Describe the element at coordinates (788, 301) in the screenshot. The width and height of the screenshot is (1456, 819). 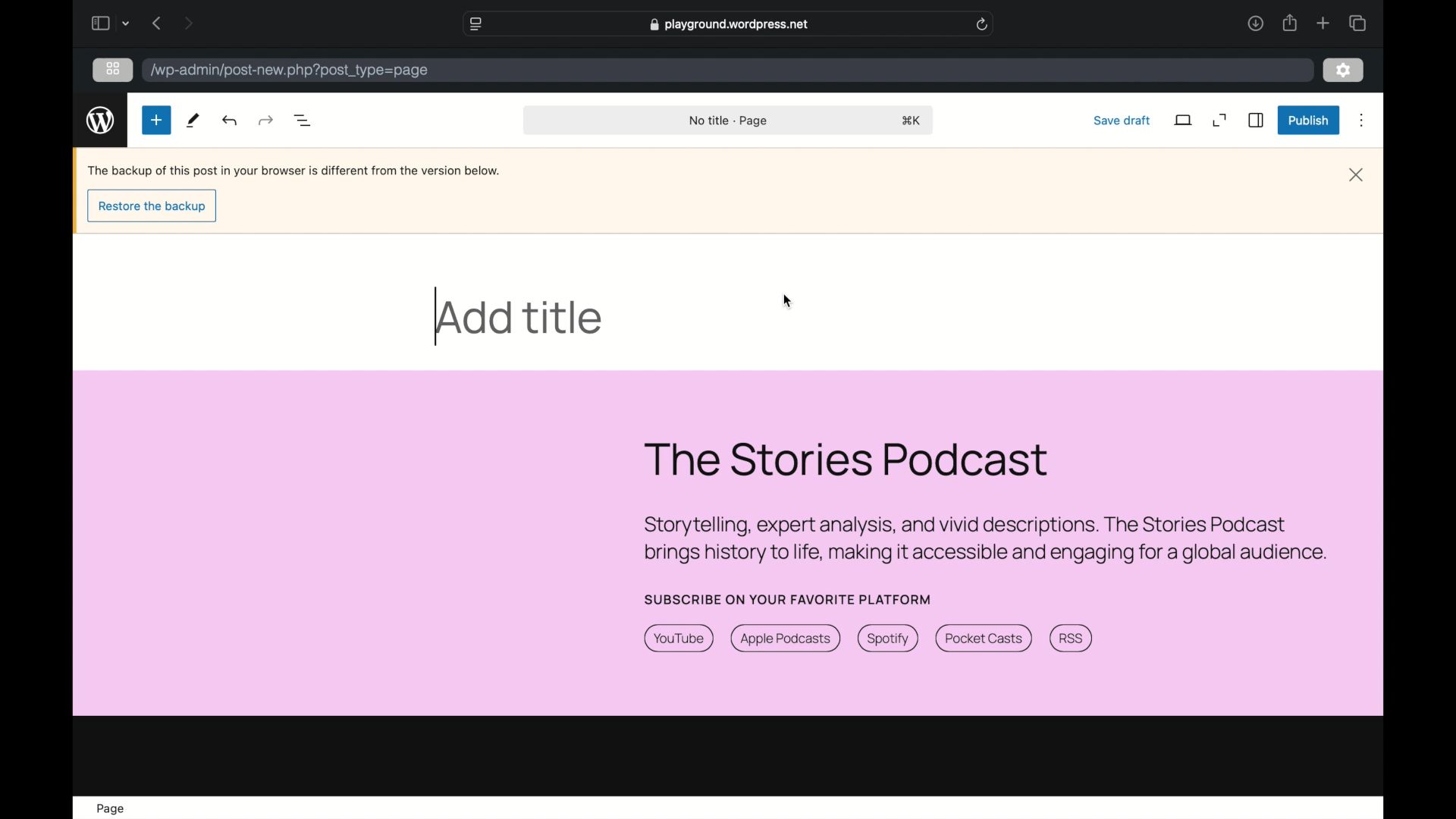
I see `cursor` at that location.